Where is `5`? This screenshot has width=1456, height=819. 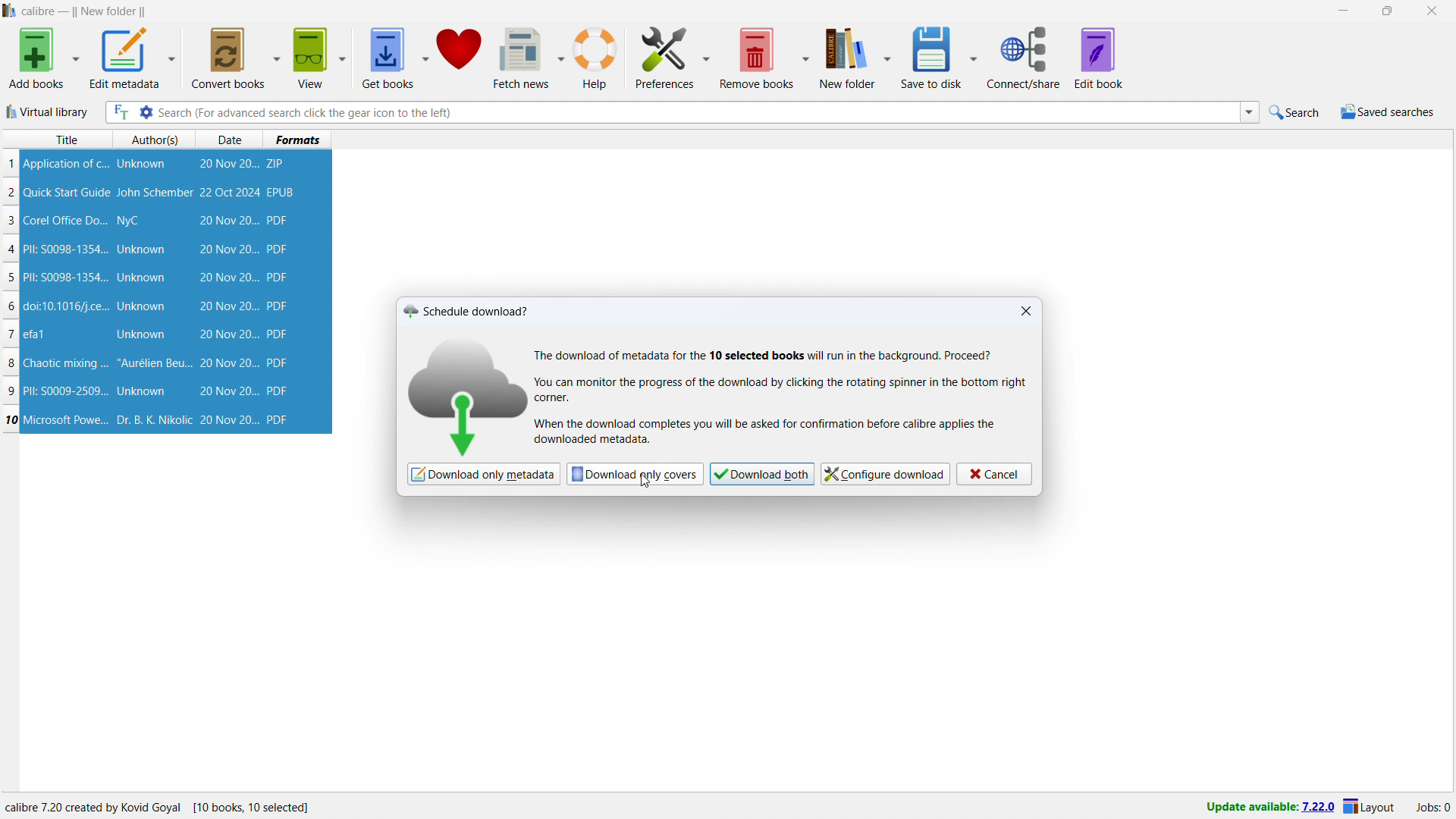 5 is located at coordinates (10, 279).